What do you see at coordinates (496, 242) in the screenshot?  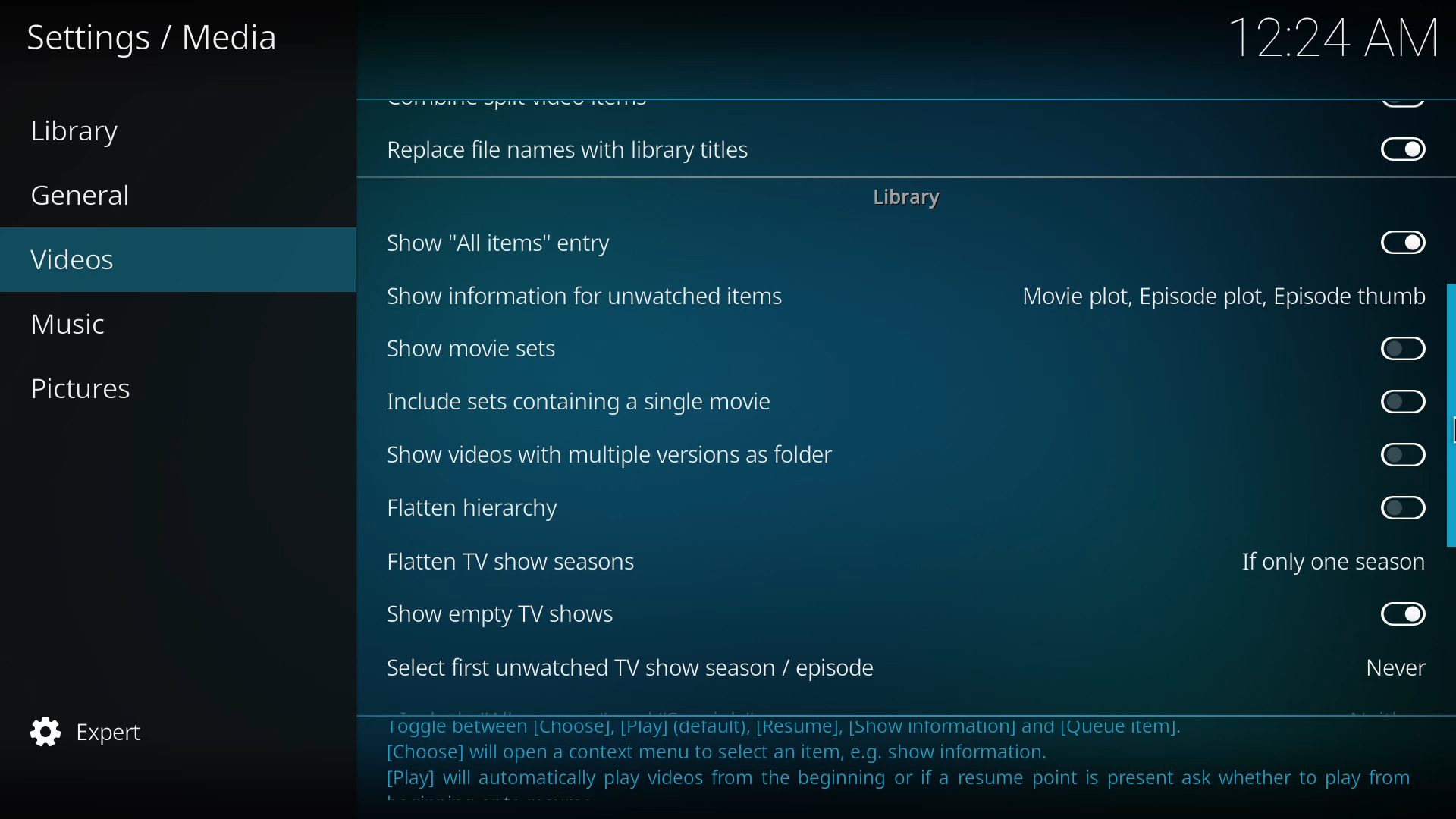 I see `show all items` at bounding box center [496, 242].